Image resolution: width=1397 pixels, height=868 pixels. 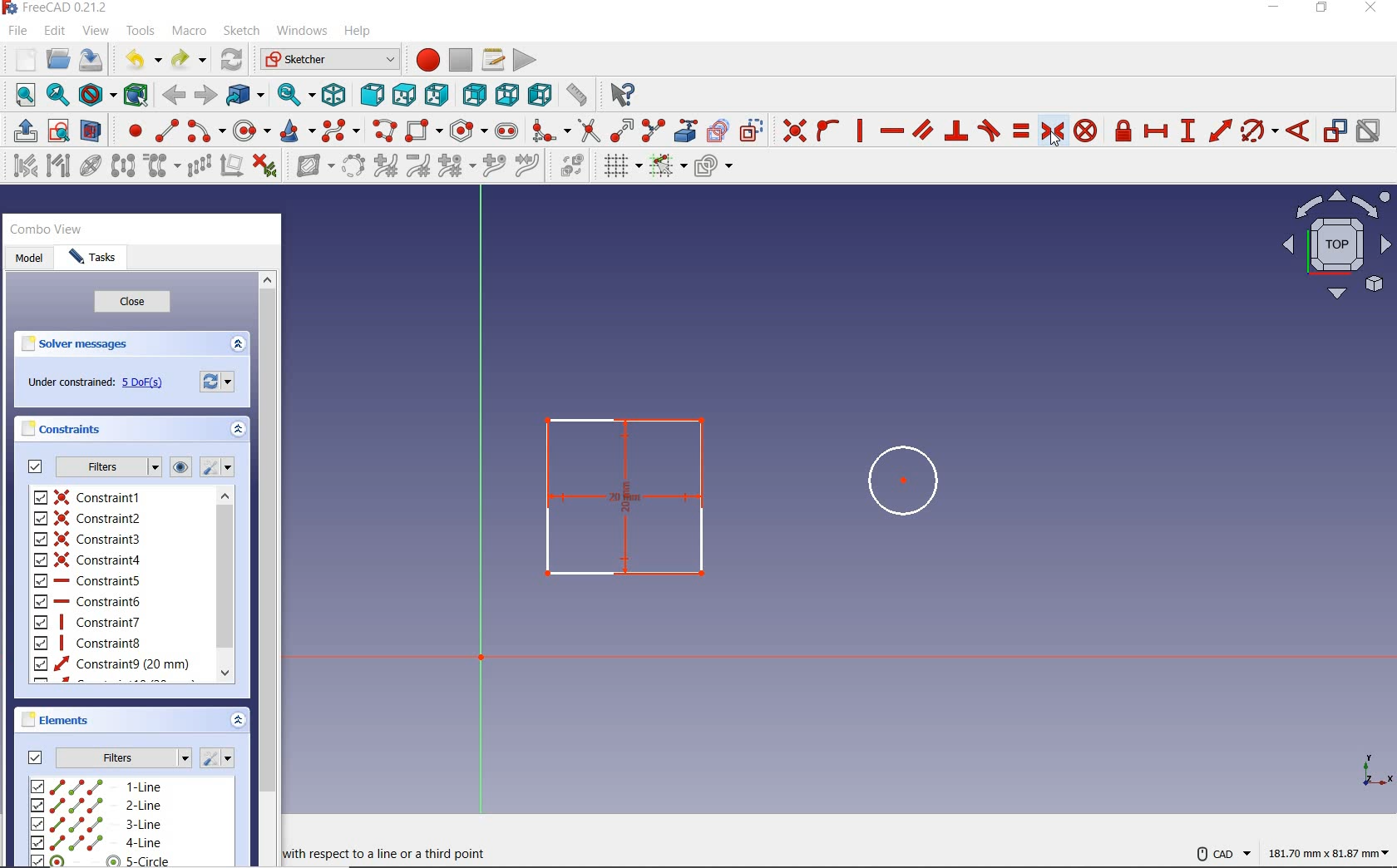 What do you see at coordinates (57, 129) in the screenshot?
I see `create sketch` at bounding box center [57, 129].